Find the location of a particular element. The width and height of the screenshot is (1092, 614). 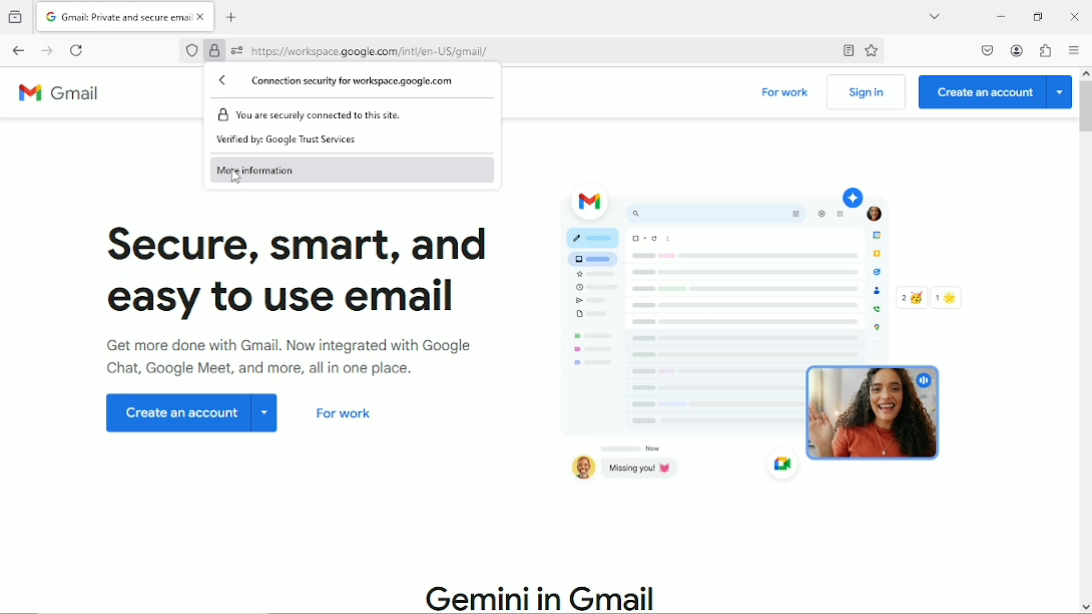

Verified by Google Trust Services is located at coordinates (214, 50).